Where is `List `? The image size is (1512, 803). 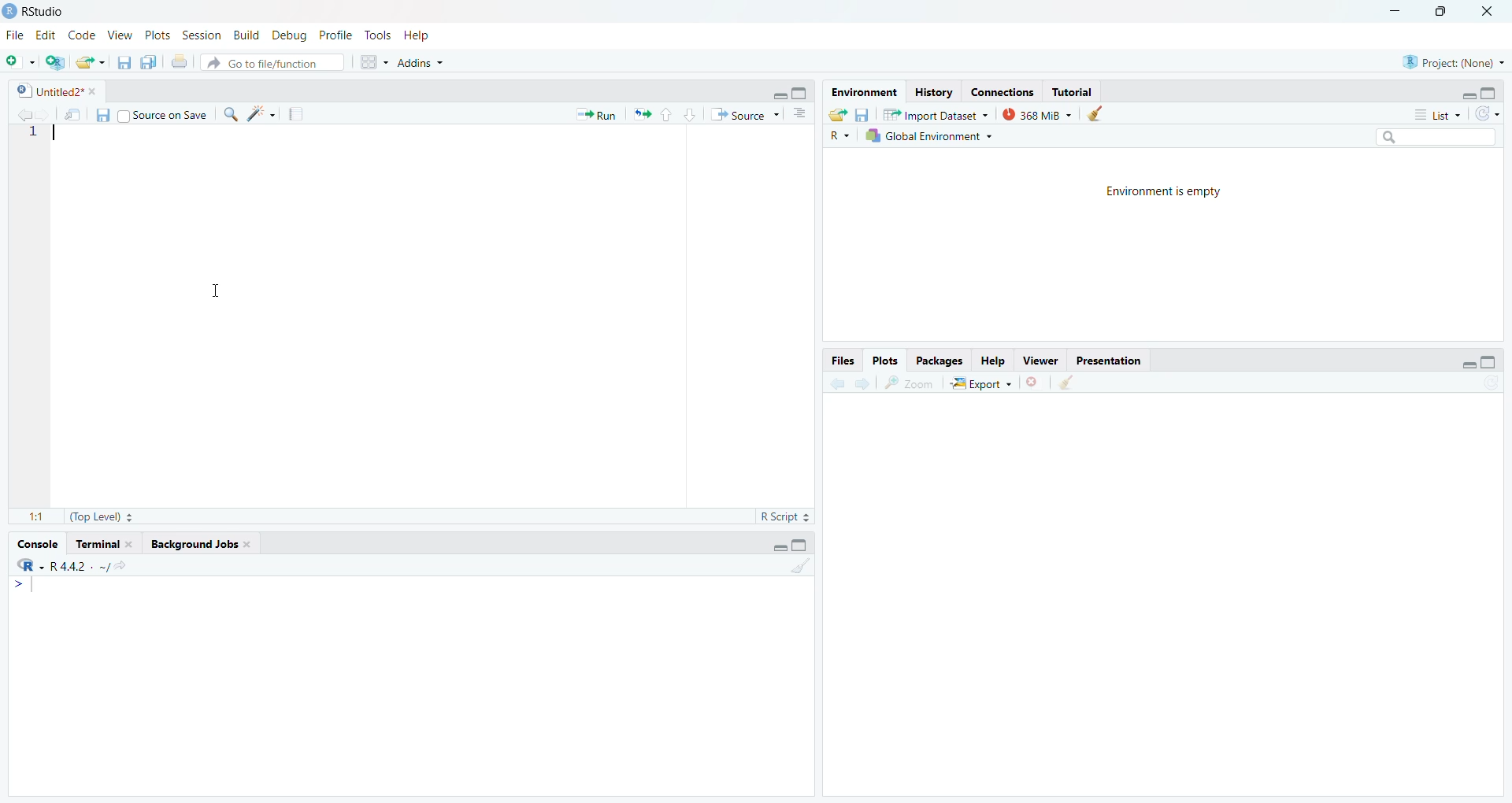
List  is located at coordinates (1436, 115).